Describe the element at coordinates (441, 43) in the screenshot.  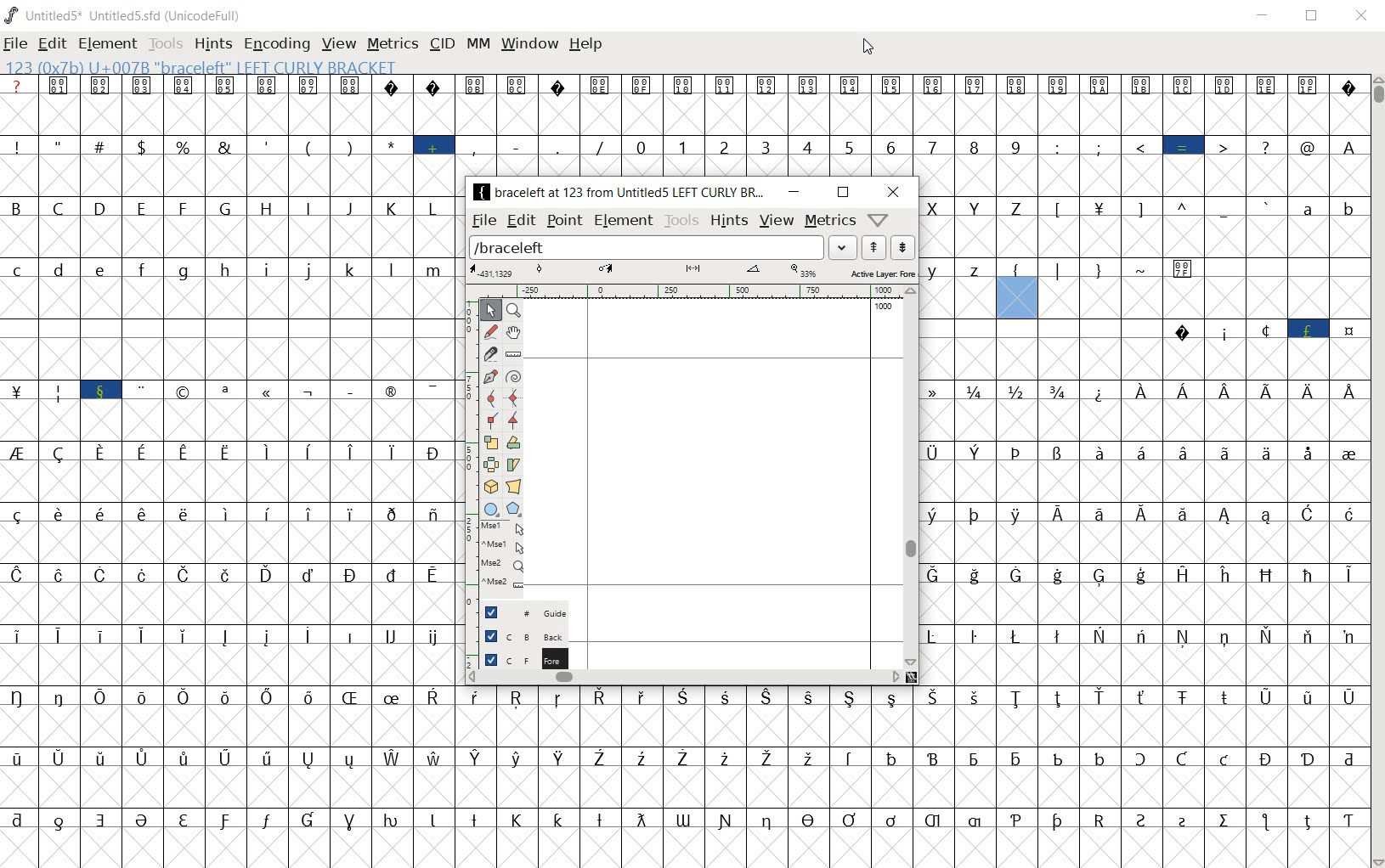
I see `cid` at that location.